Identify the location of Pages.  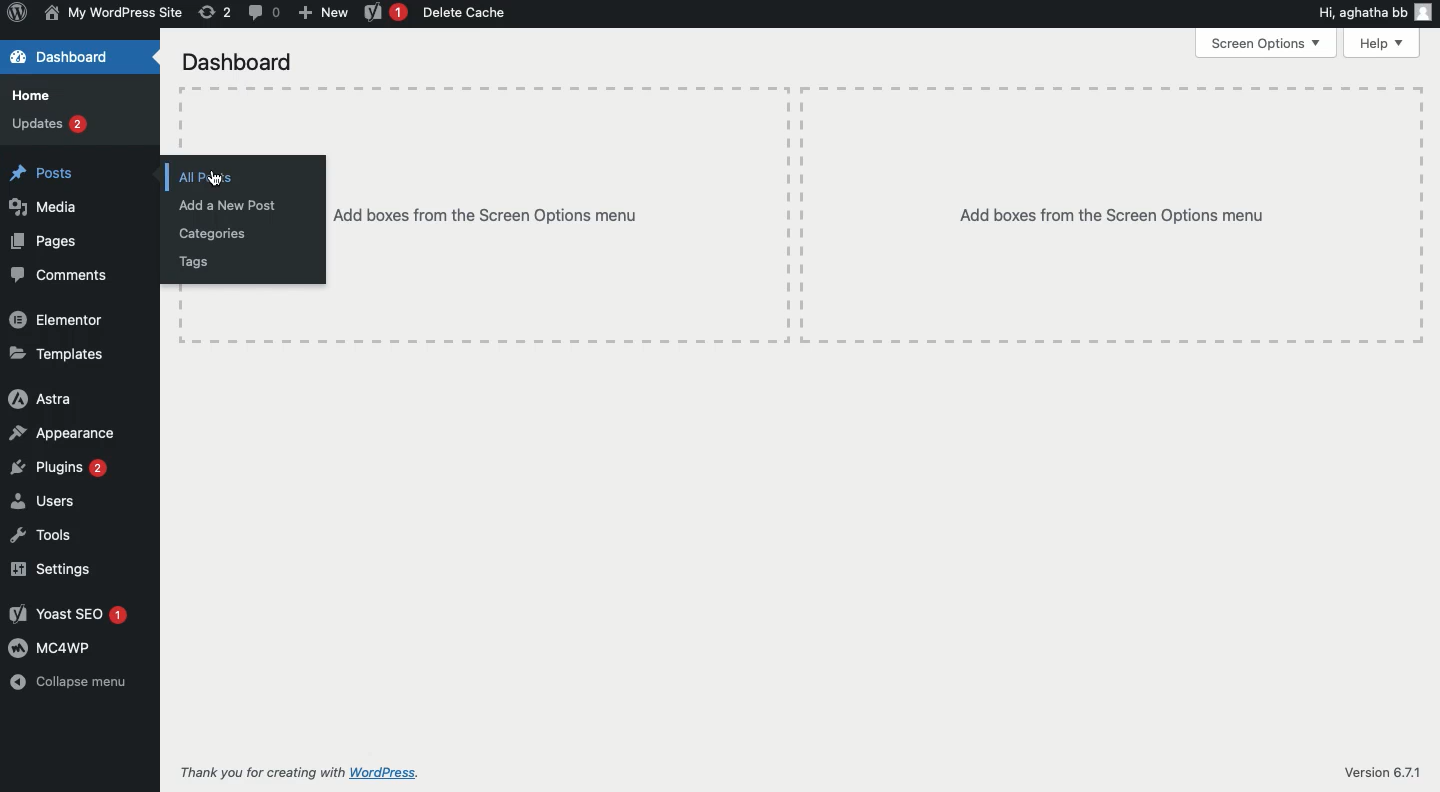
(45, 242).